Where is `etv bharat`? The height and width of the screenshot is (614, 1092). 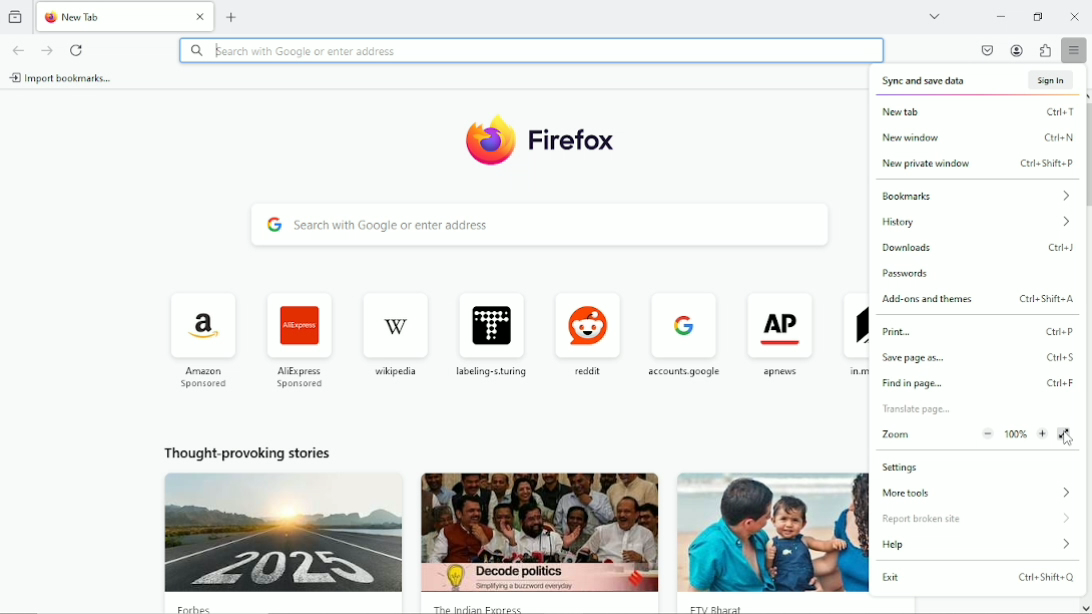
etv bharat is located at coordinates (729, 607).